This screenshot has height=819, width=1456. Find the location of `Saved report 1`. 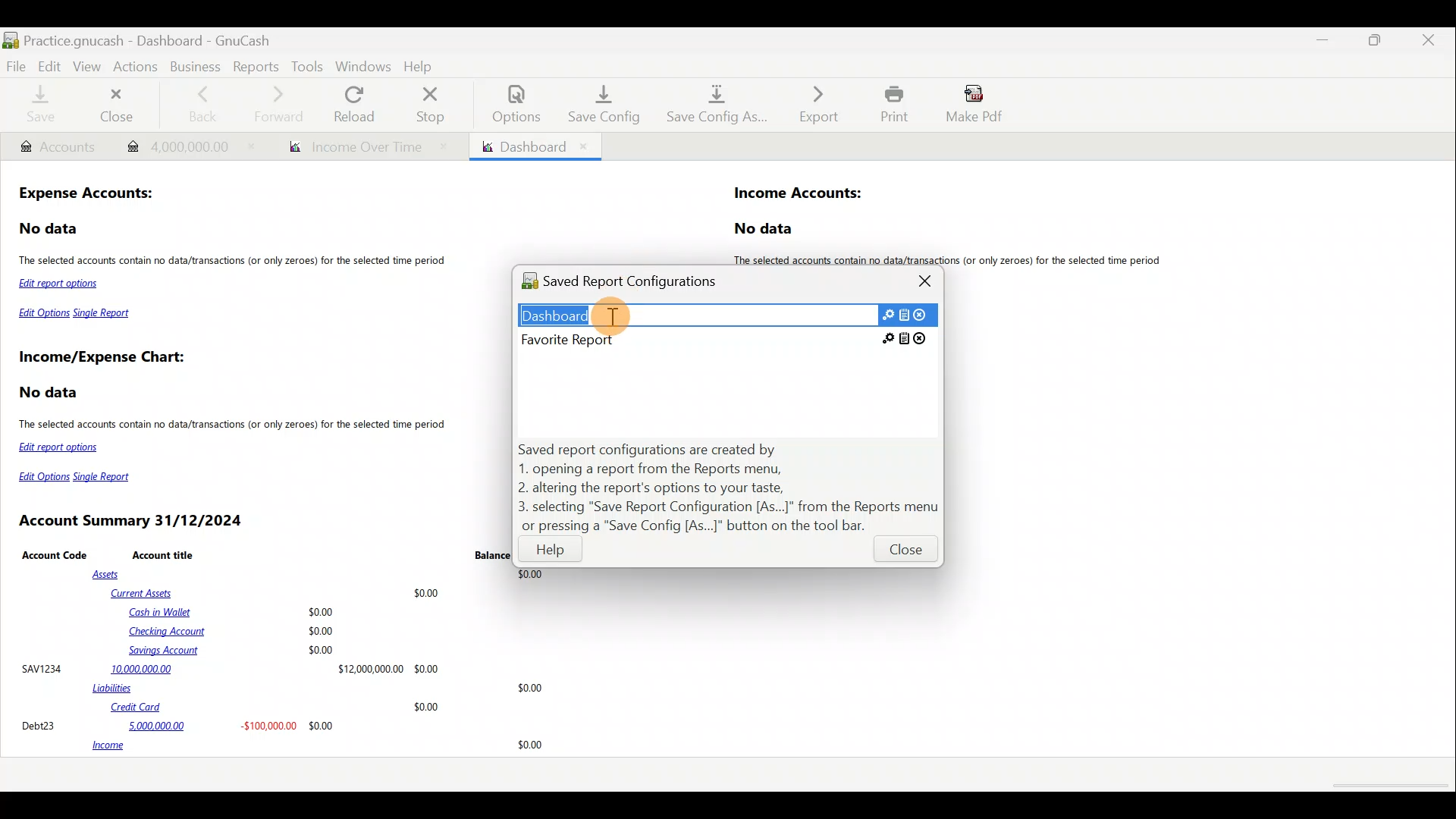

Saved report 1 is located at coordinates (727, 314).